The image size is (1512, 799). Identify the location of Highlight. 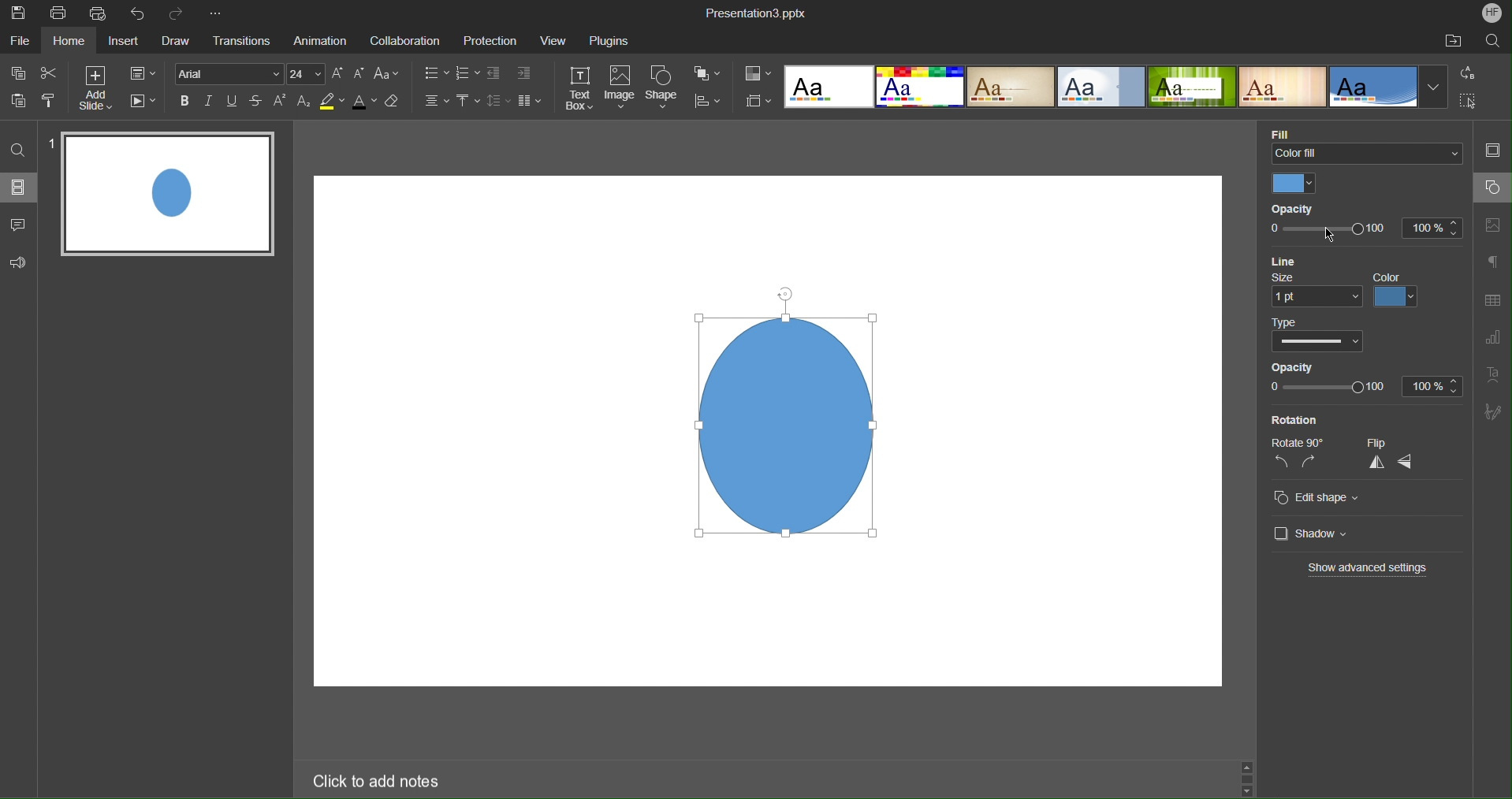
(332, 104).